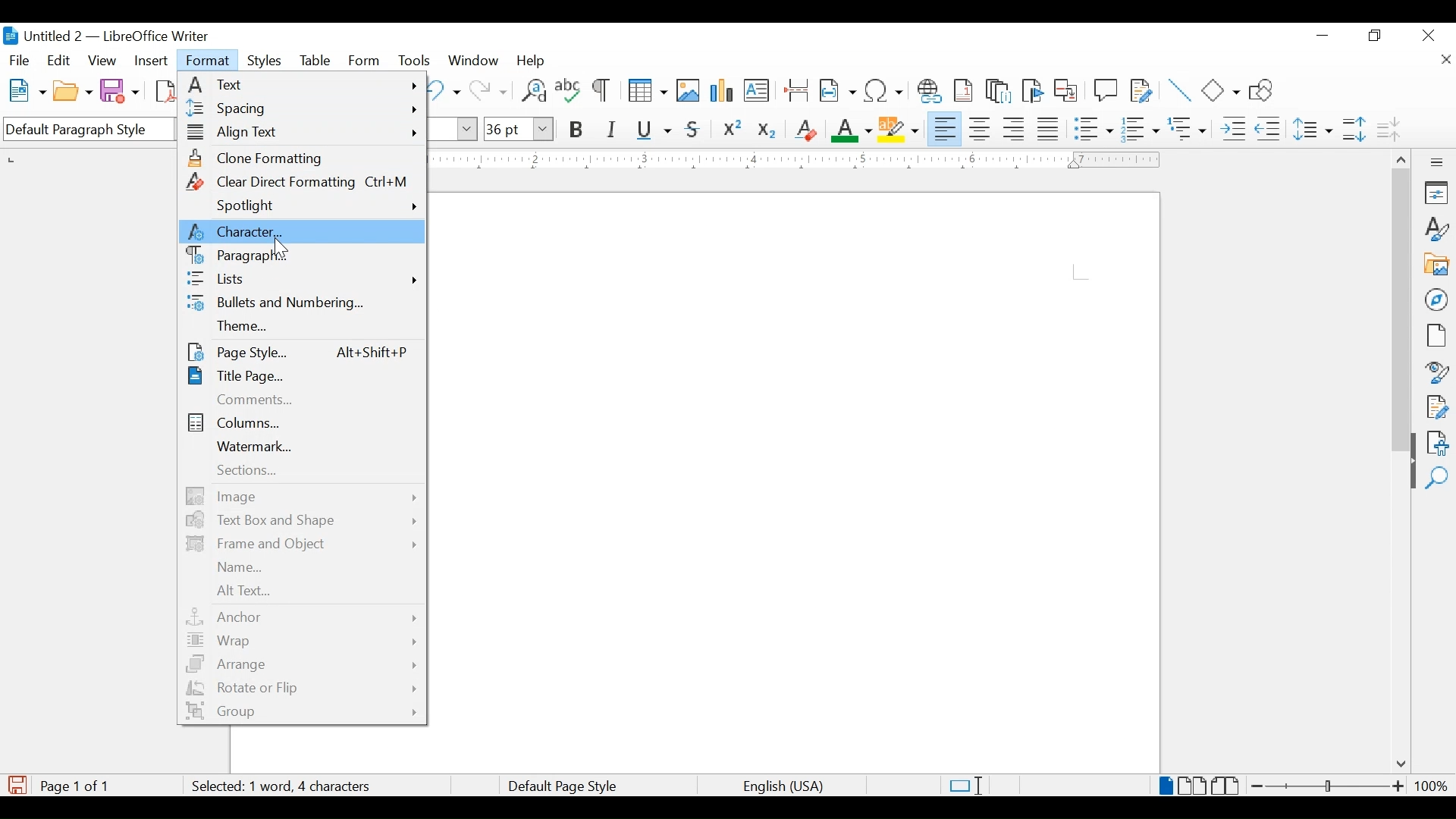  Describe the element at coordinates (300, 494) in the screenshot. I see `image menu` at that location.